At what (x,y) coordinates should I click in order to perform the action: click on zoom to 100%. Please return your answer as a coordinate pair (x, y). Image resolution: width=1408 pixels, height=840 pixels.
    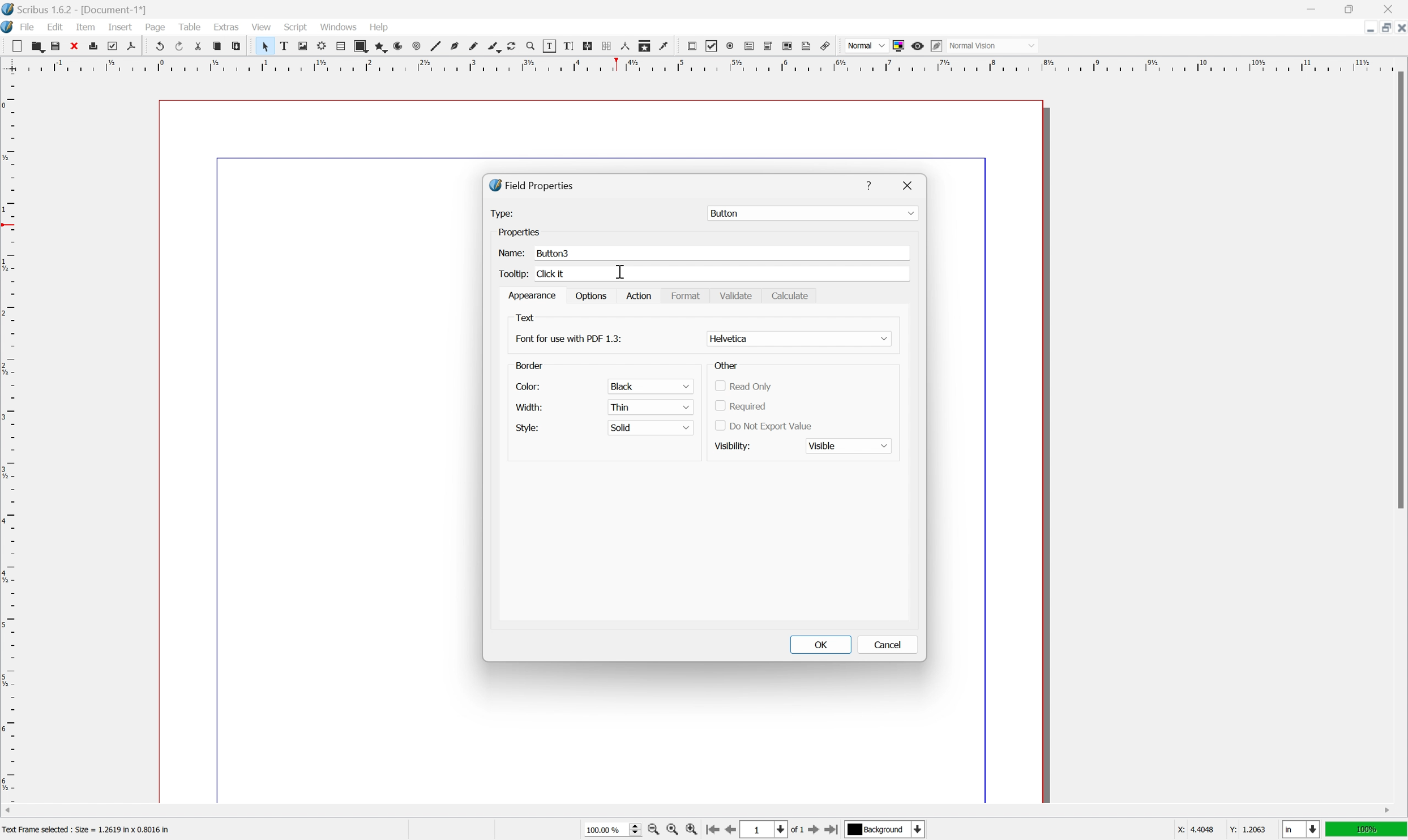
    Looking at the image, I should click on (673, 831).